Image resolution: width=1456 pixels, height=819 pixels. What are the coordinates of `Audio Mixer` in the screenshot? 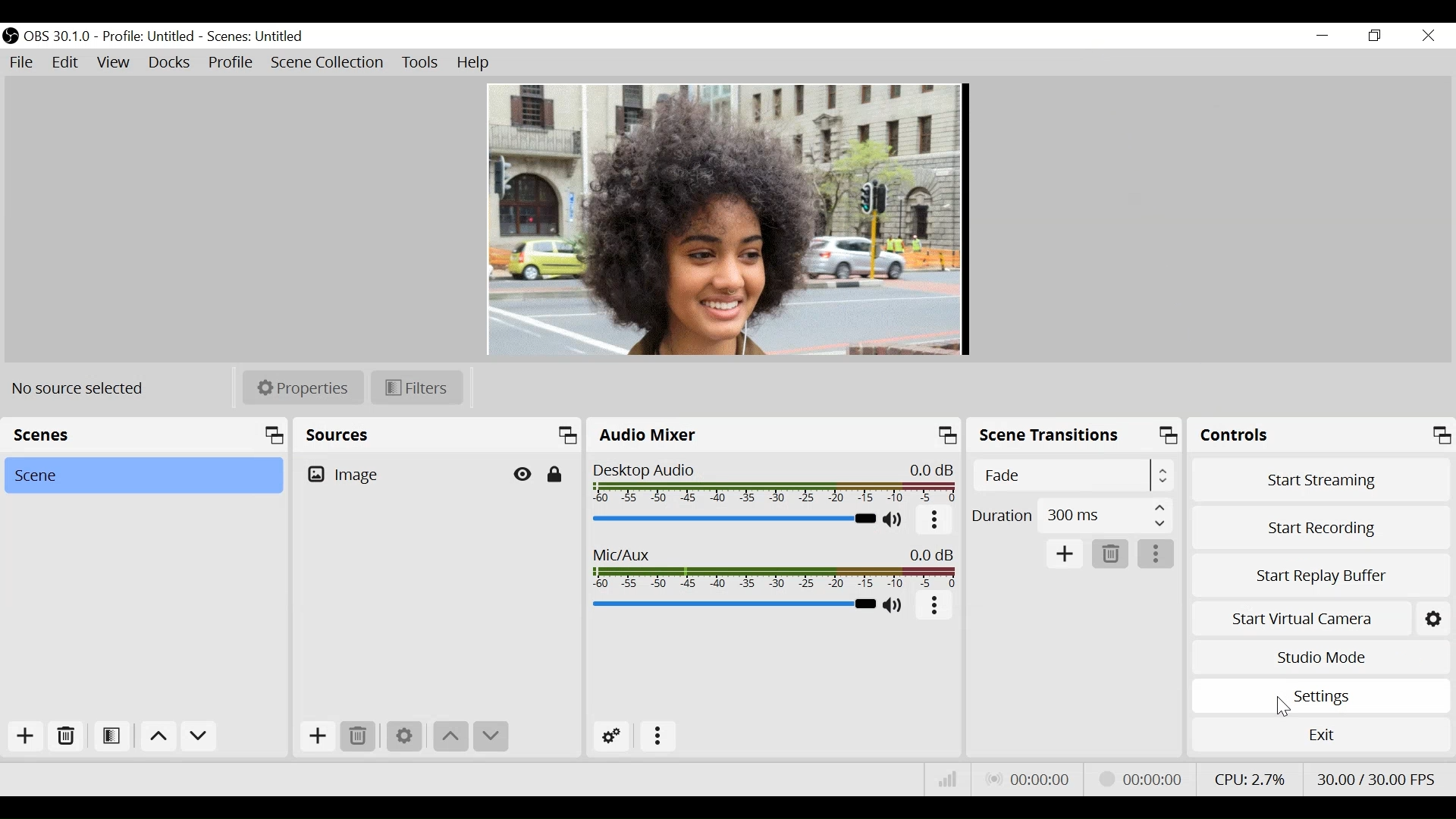 It's located at (773, 436).